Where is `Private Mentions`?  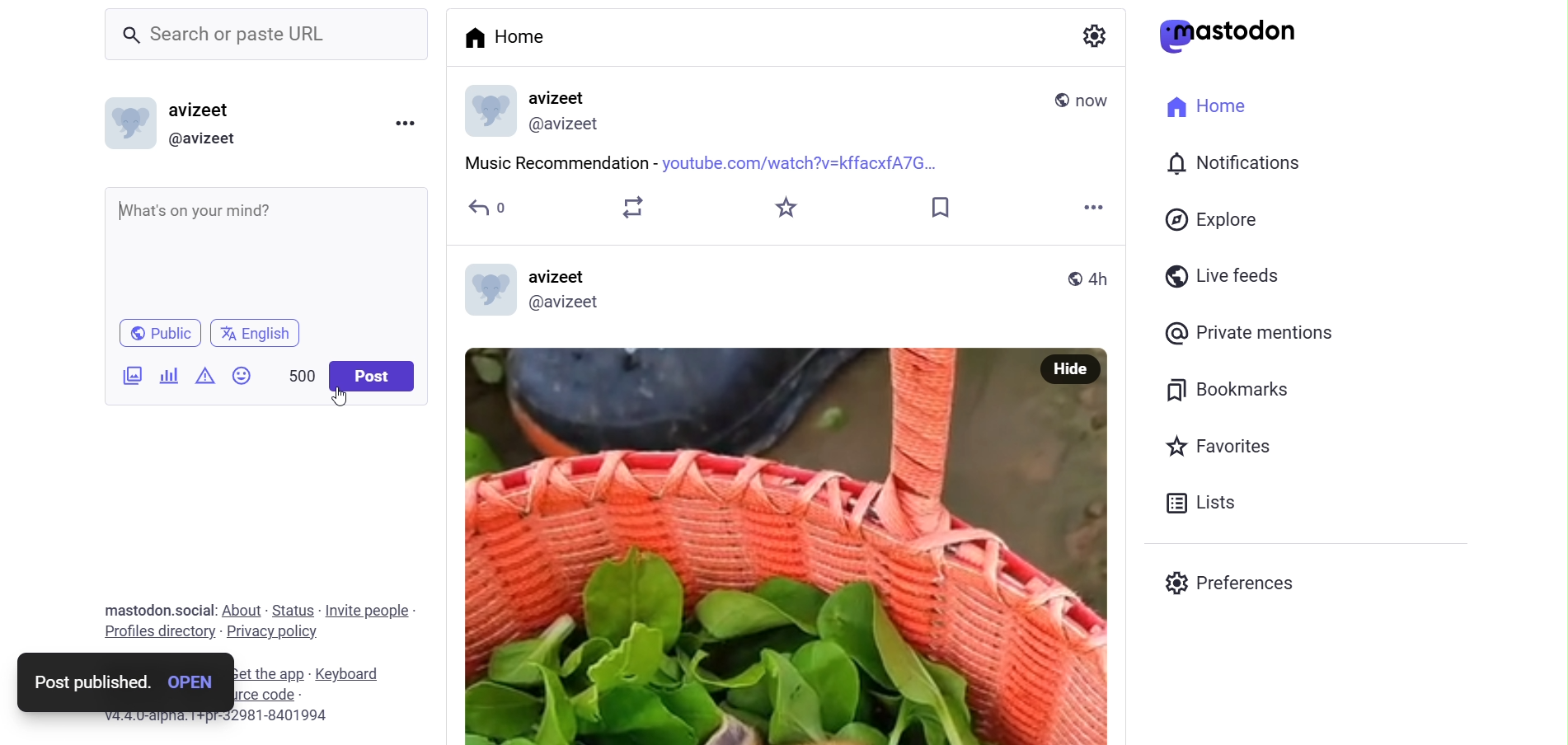
Private Mentions is located at coordinates (1251, 331).